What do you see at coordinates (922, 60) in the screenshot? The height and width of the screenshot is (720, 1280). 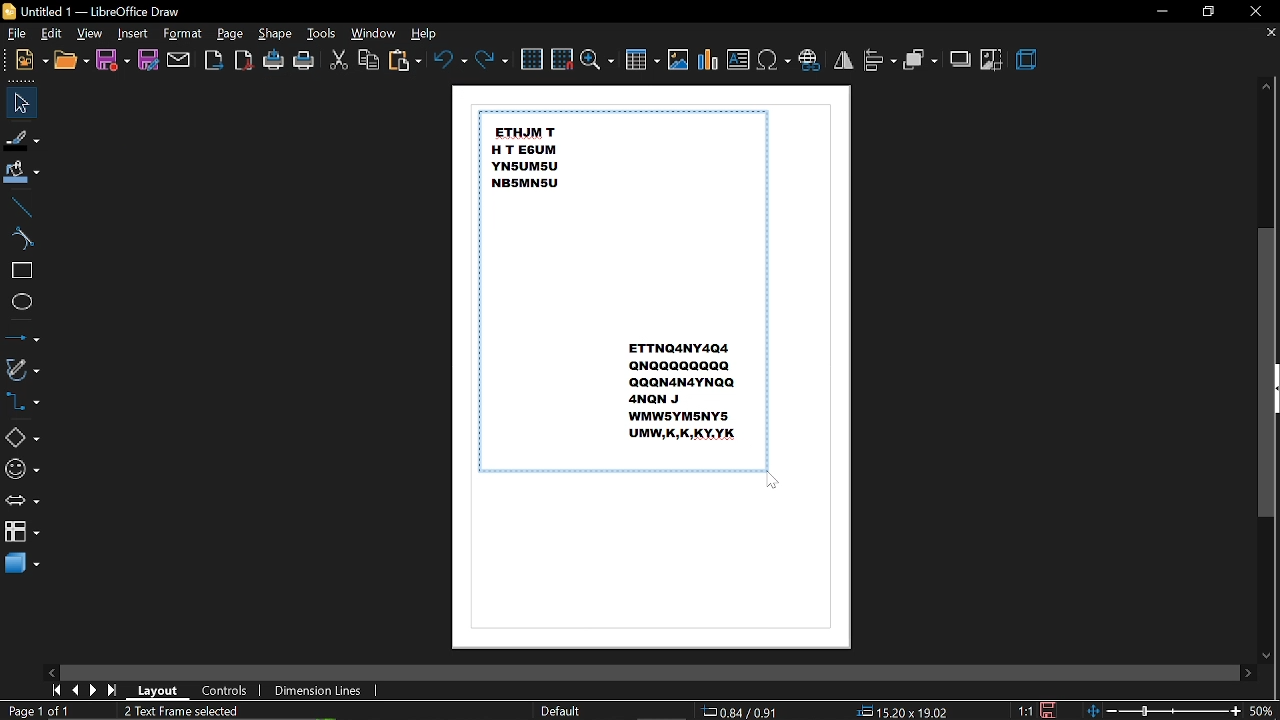 I see `arrange` at bounding box center [922, 60].